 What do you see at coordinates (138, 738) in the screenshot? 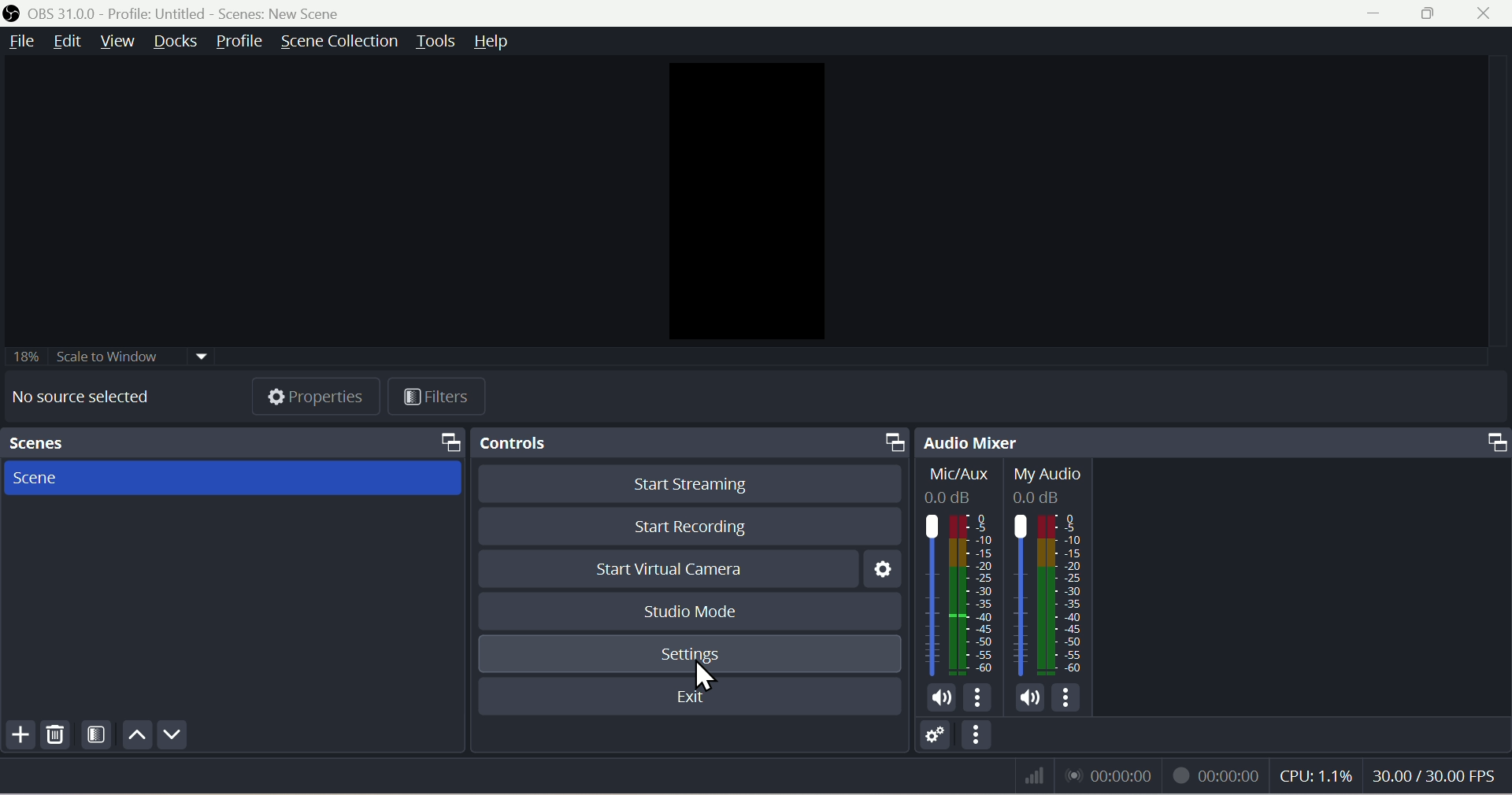
I see `Up` at bounding box center [138, 738].